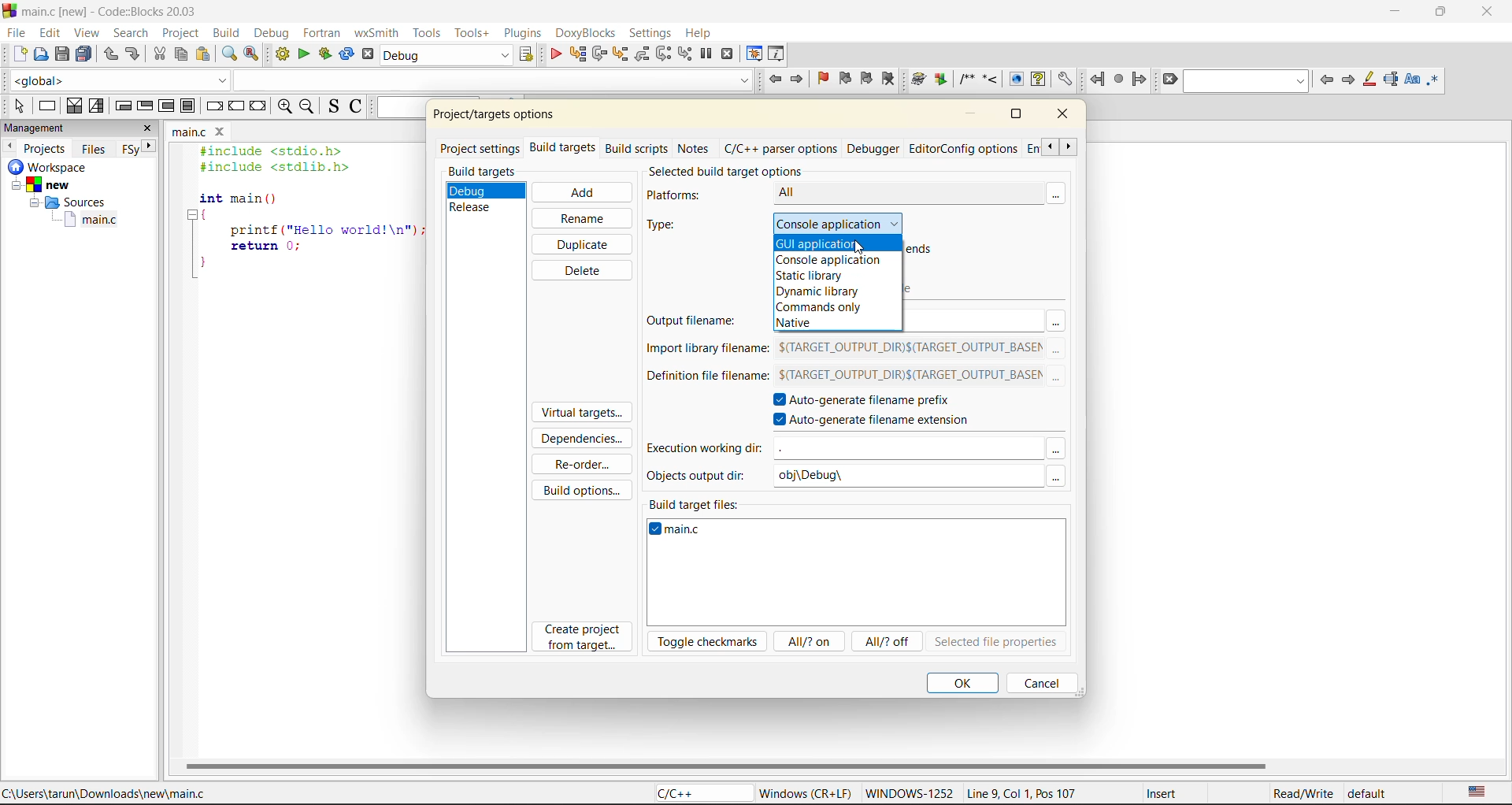  Describe the element at coordinates (581, 218) in the screenshot. I see `rename` at that location.